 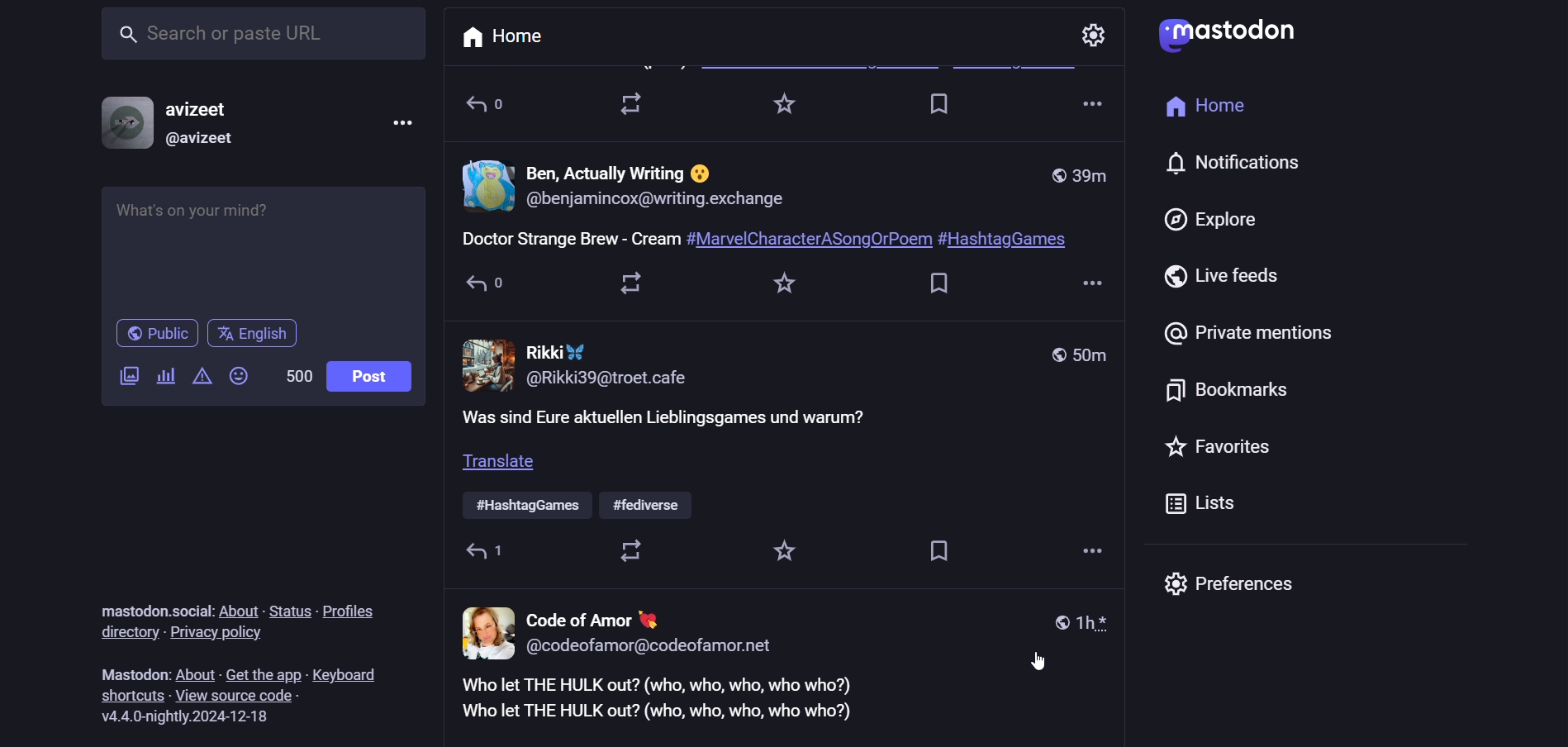 What do you see at coordinates (791, 288) in the screenshot?
I see `favourite` at bounding box center [791, 288].